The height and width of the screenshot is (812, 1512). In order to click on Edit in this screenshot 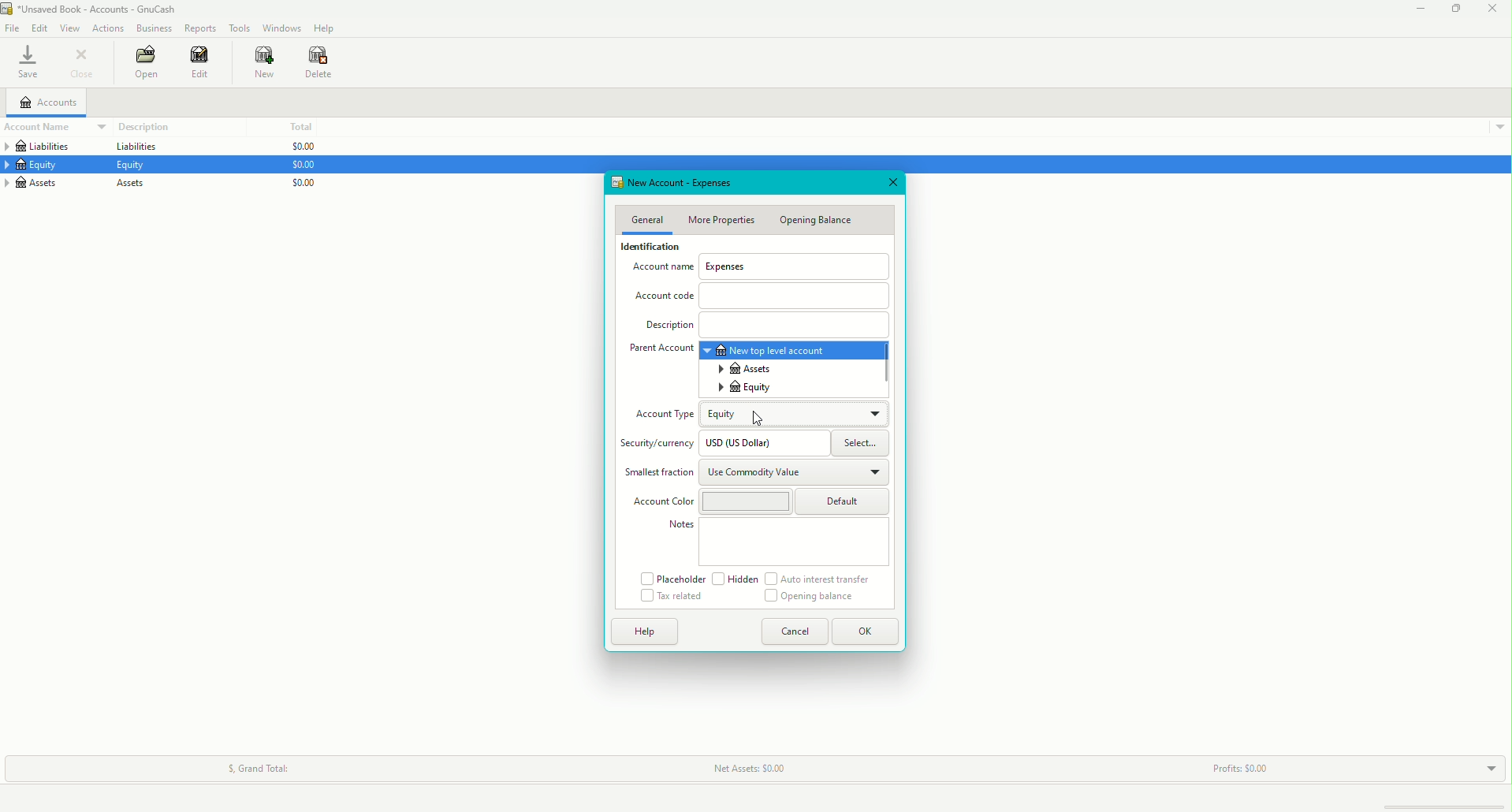, I will do `click(203, 64)`.